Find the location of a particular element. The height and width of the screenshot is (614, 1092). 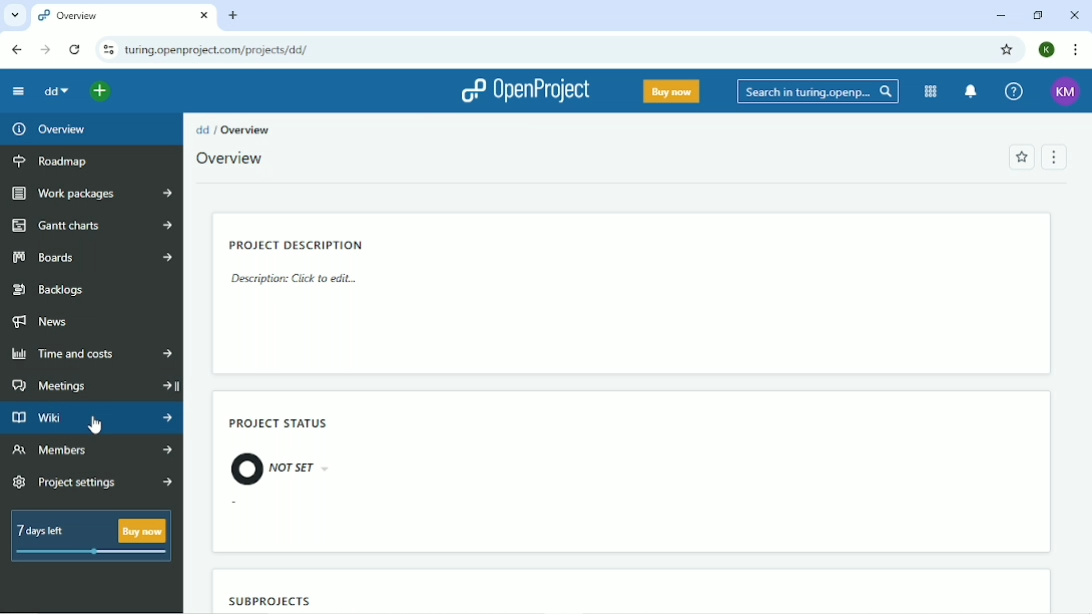

Subproject is located at coordinates (271, 598).